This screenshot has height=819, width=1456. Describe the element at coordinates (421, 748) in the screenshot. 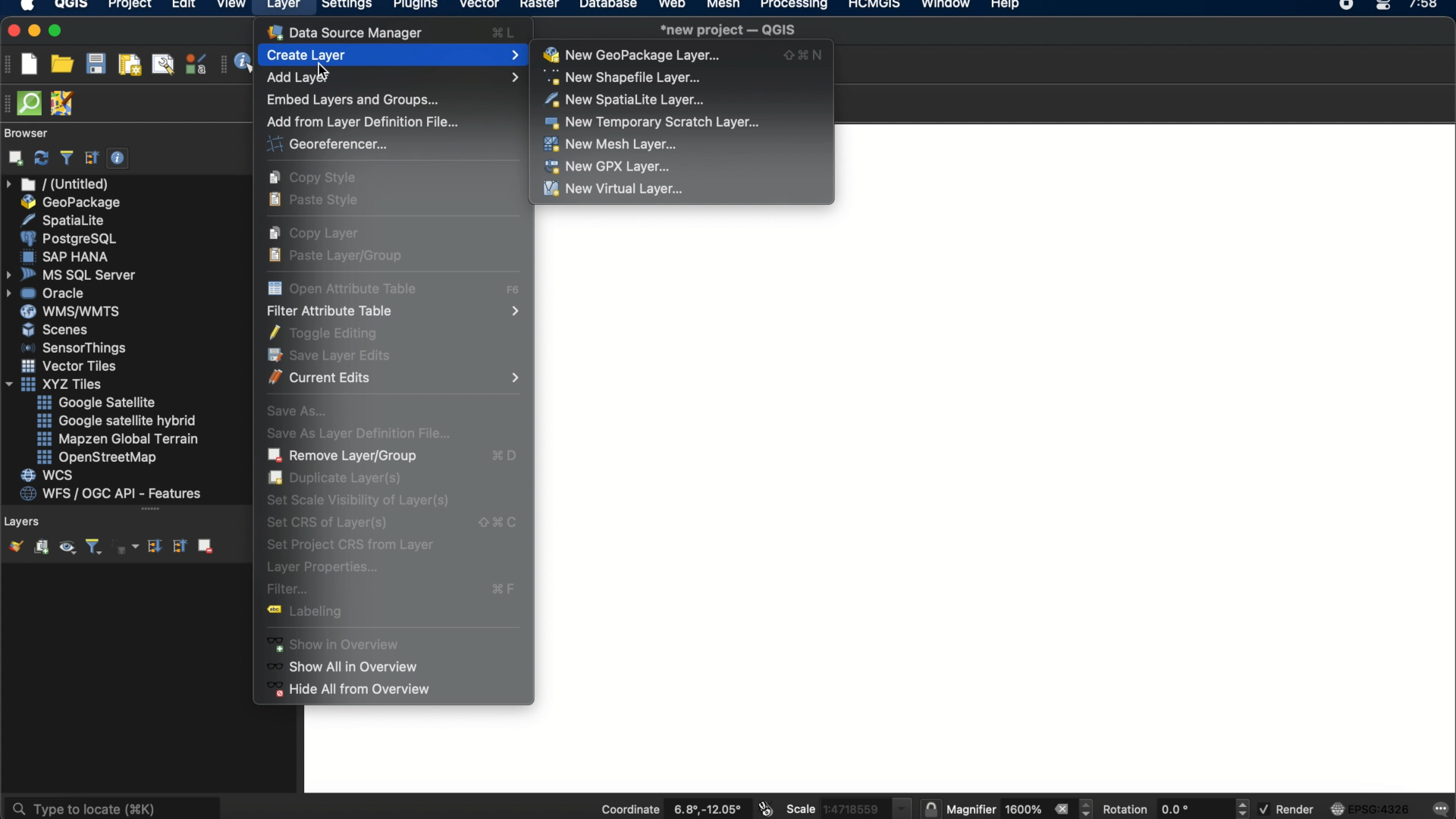

I see `workspace` at that location.